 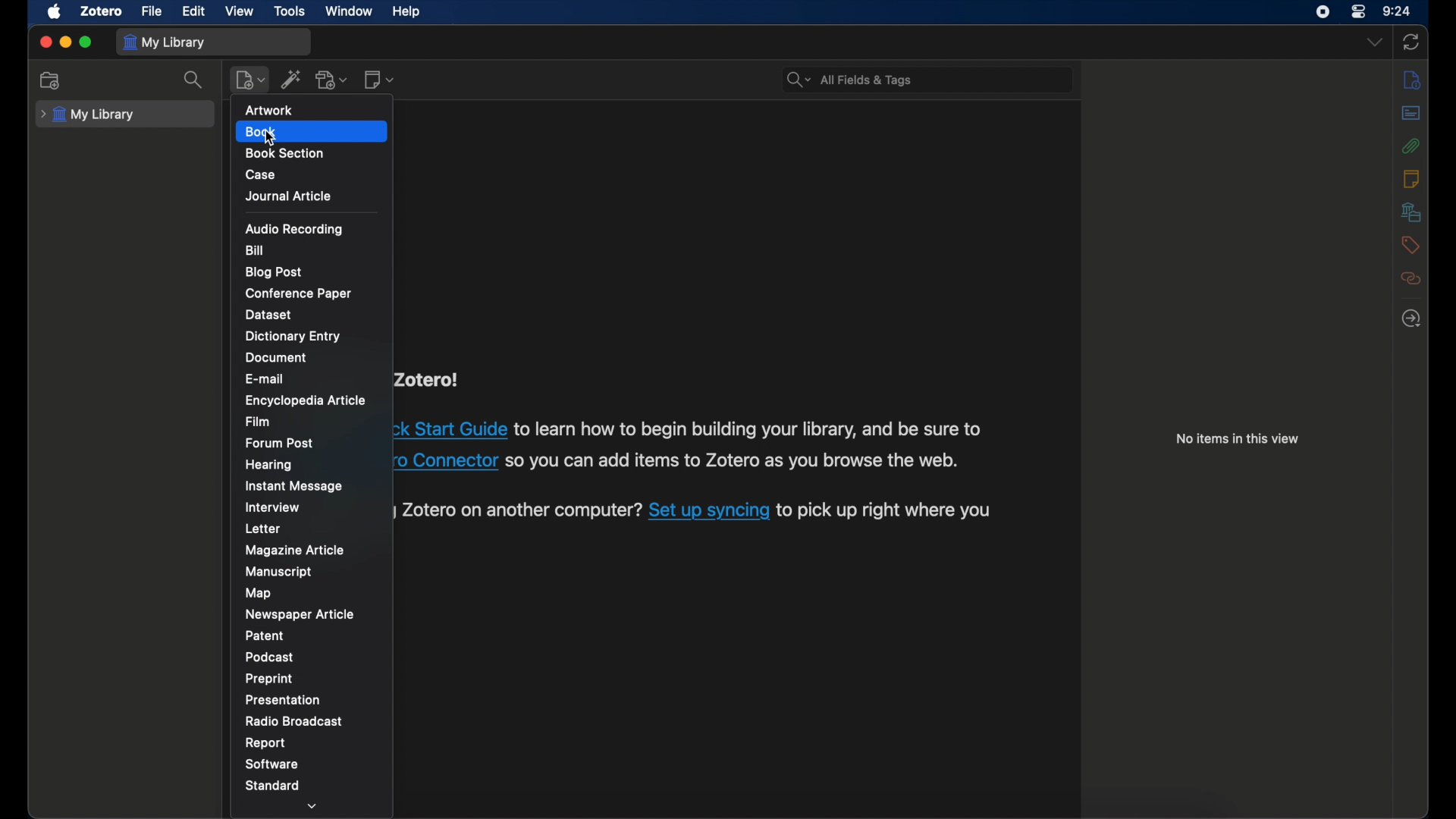 I want to click on e-mail, so click(x=265, y=378).